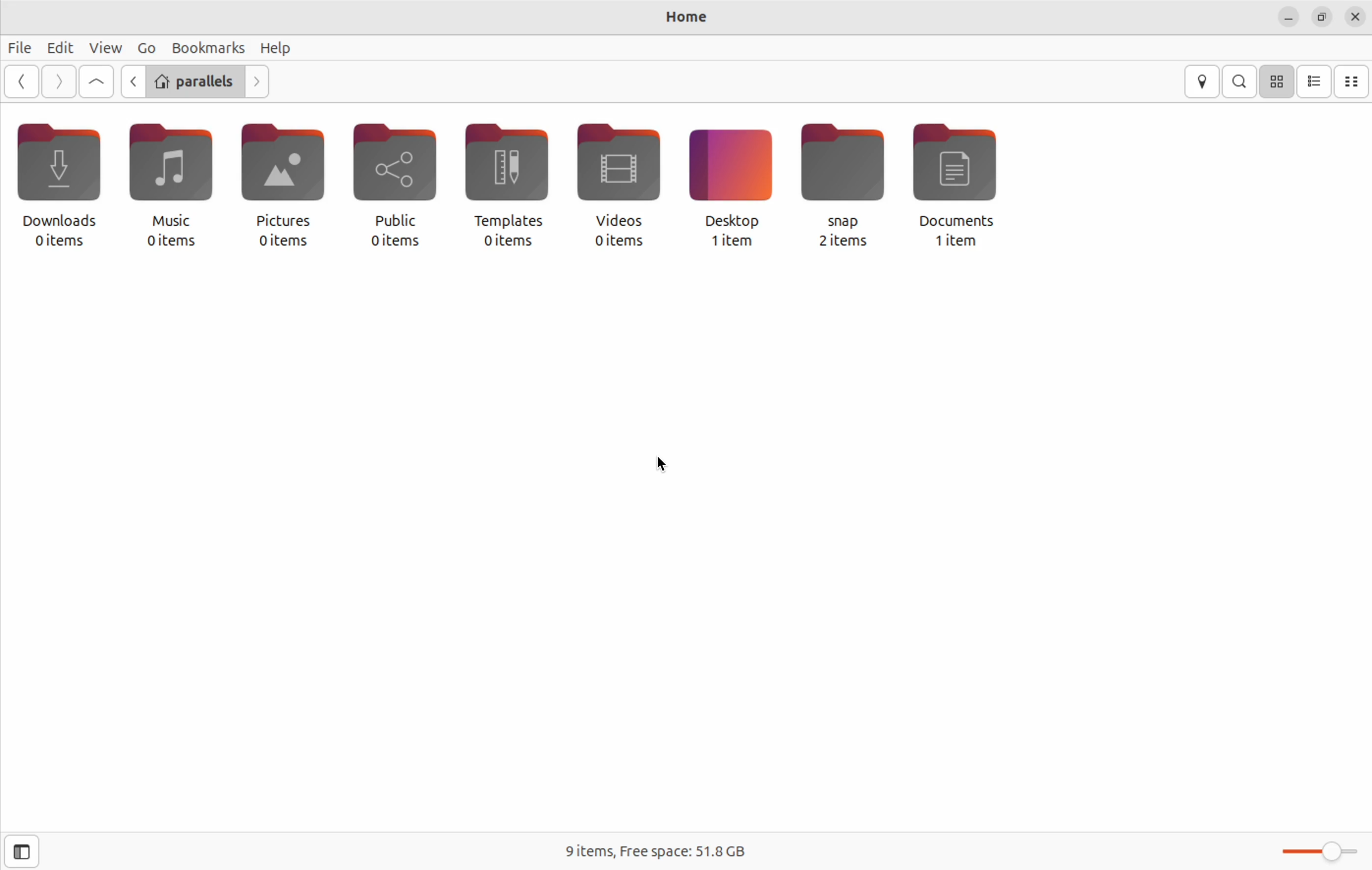 Image resolution: width=1372 pixels, height=870 pixels. I want to click on videos 0 items, so click(621, 183).